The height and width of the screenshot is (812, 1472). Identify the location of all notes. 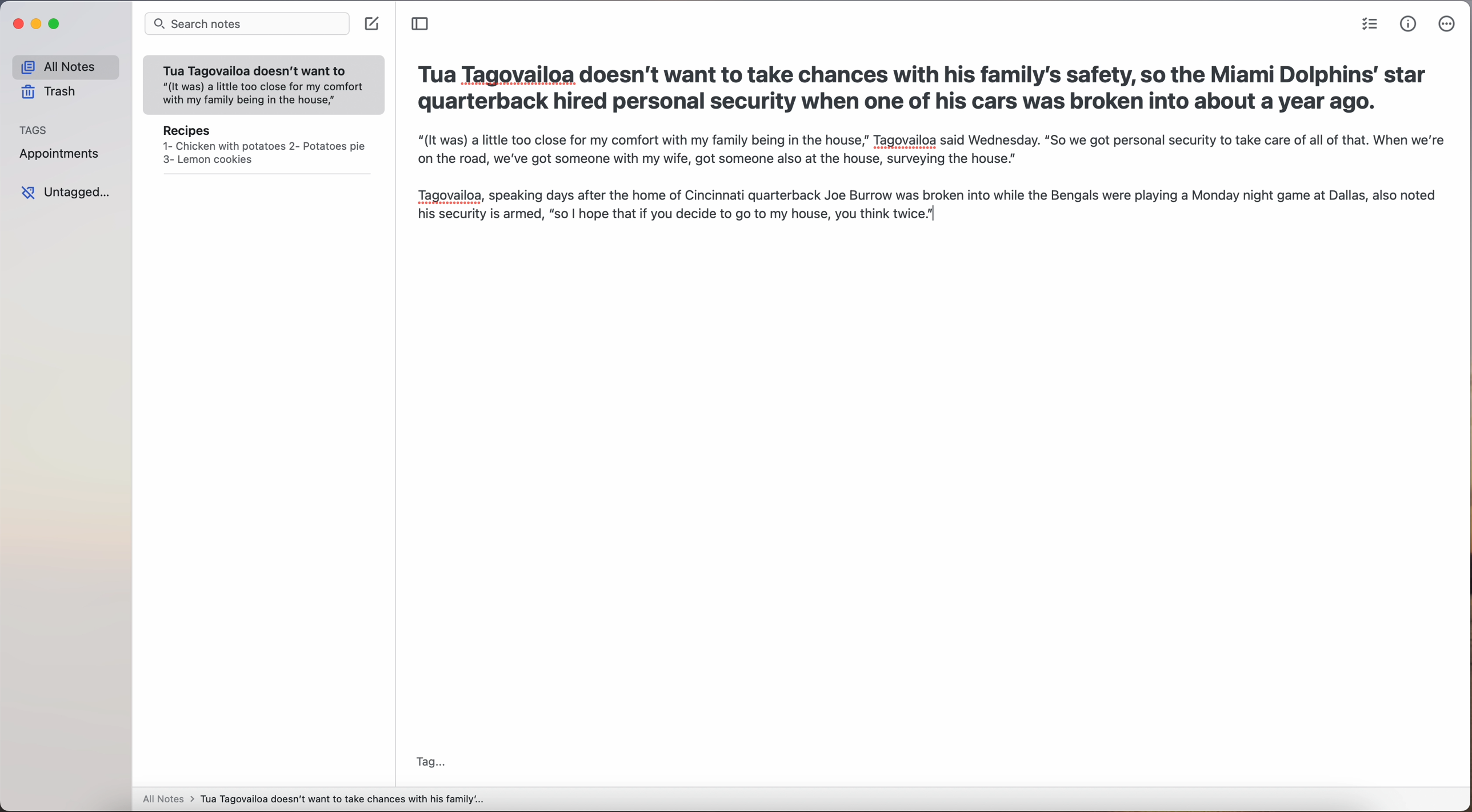
(62, 66).